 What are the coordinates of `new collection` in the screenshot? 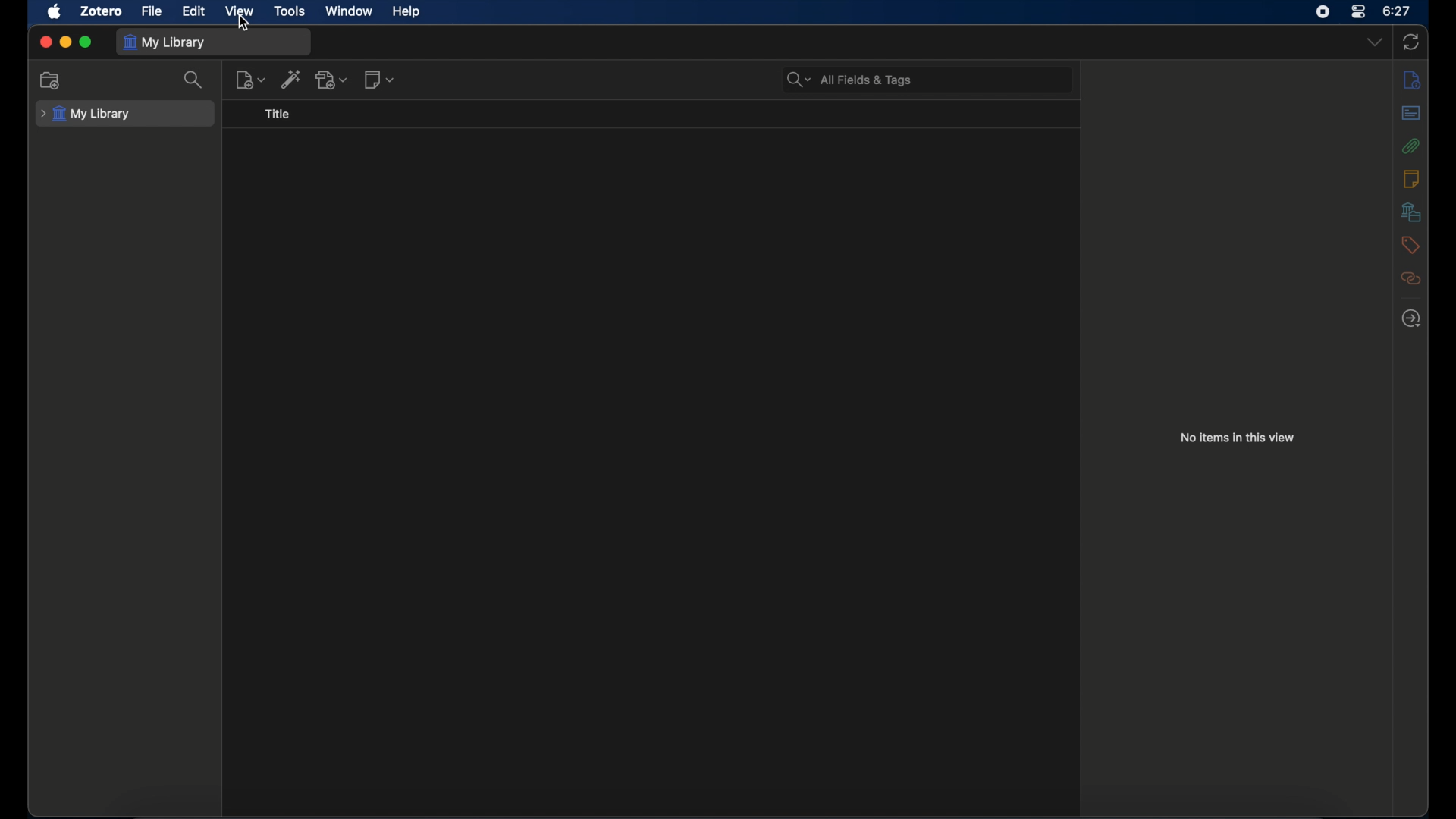 It's located at (51, 81).